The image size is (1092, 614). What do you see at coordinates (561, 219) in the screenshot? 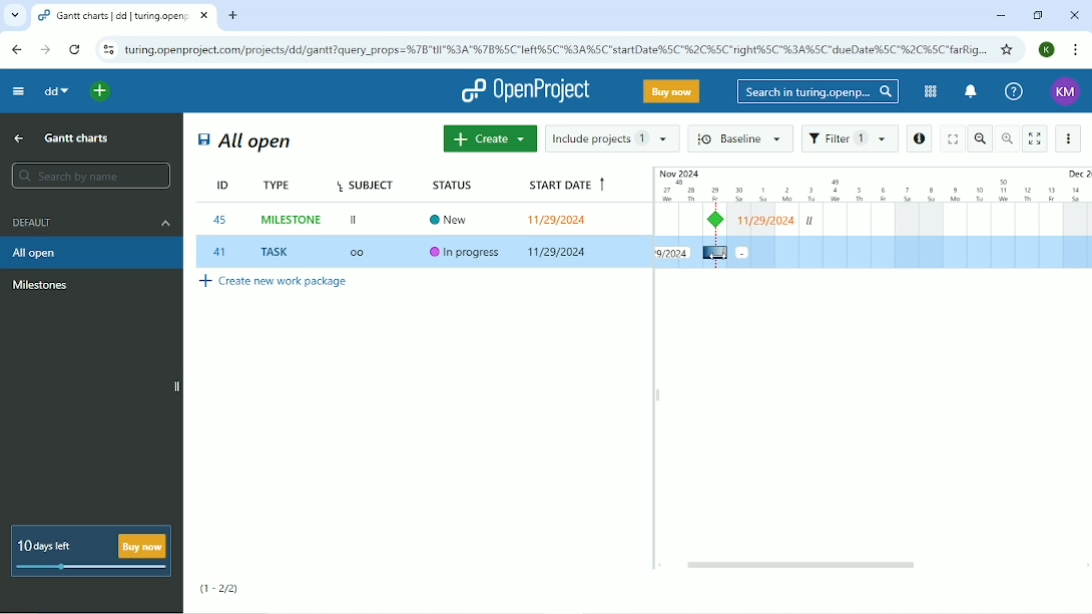
I see `11/29/2024` at bounding box center [561, 219].